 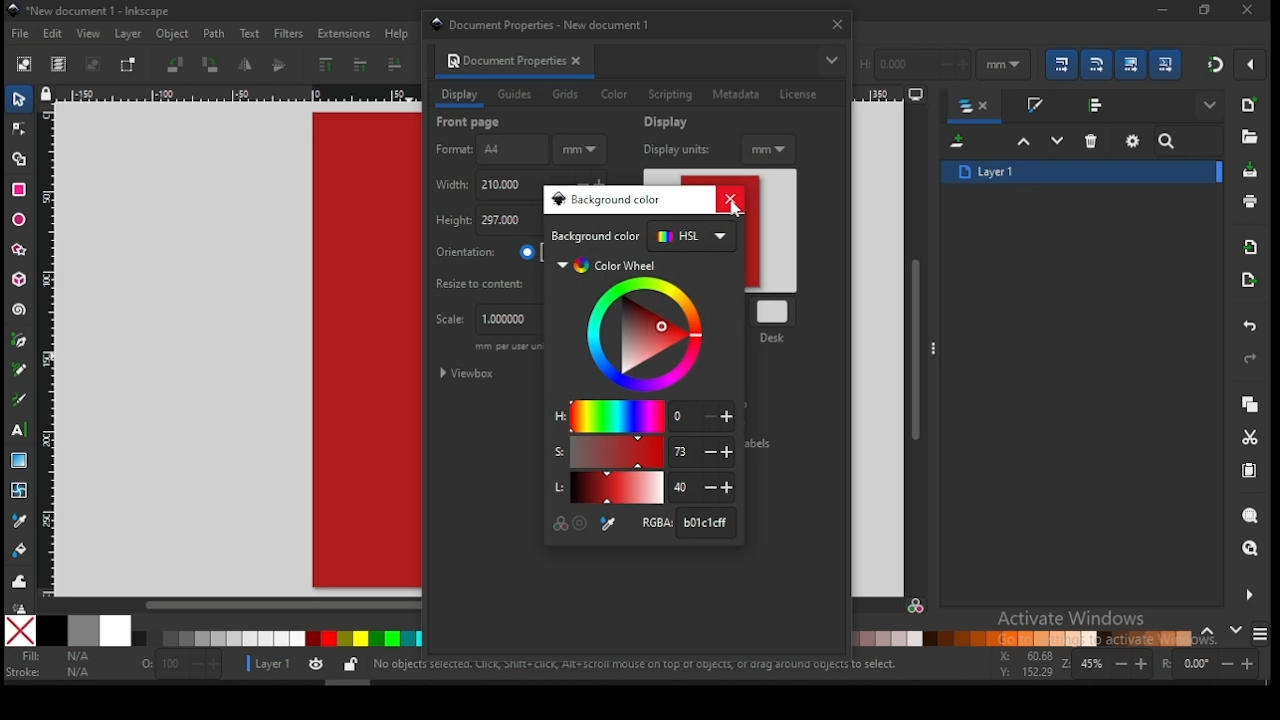 I want to click on new, so click(x=1248, y=105).